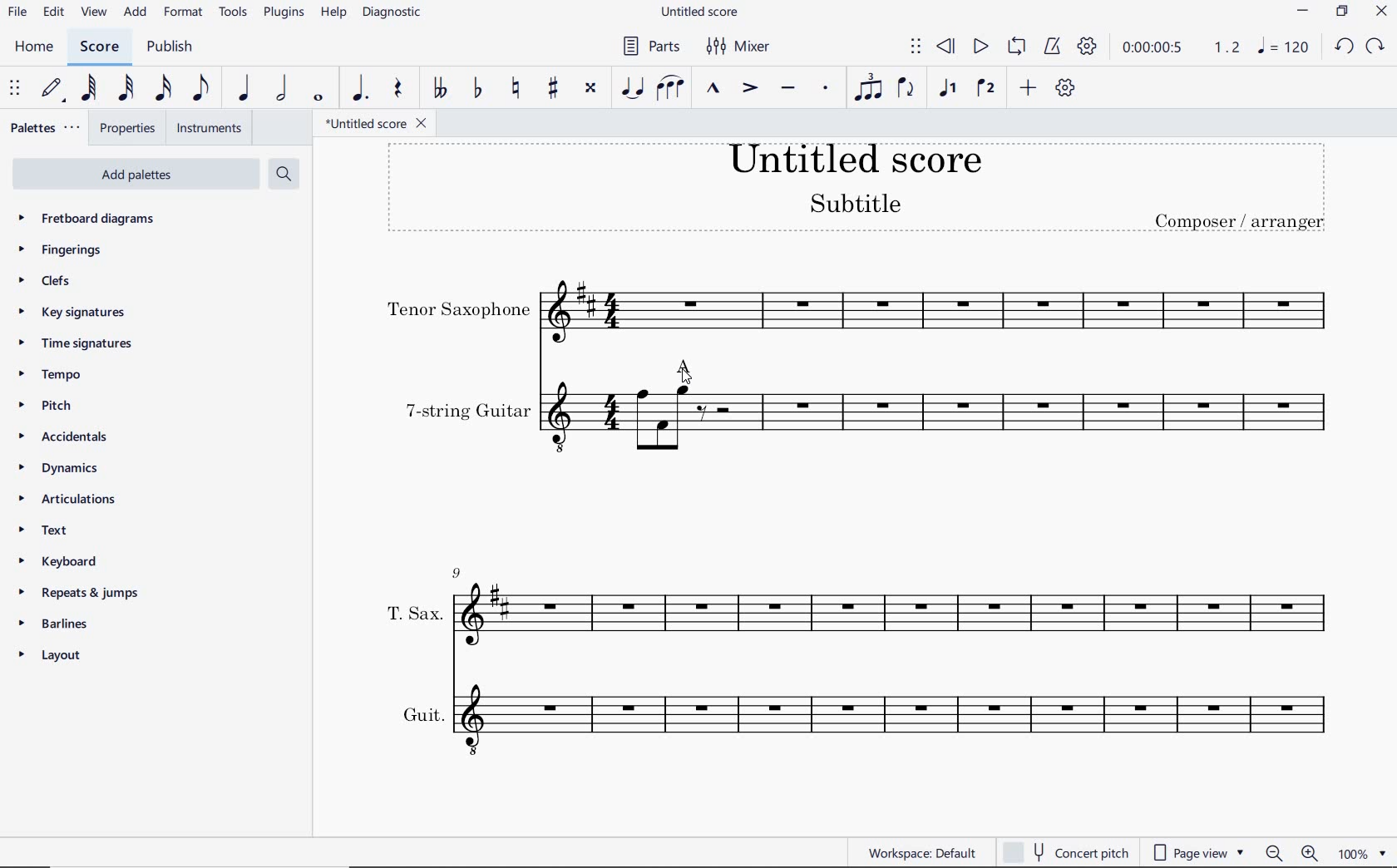 The width and height of the screenshot is (1397, 868). Describe the element at coordinates (59, 622) in the screenshot. I see `BARLINES` at that location.